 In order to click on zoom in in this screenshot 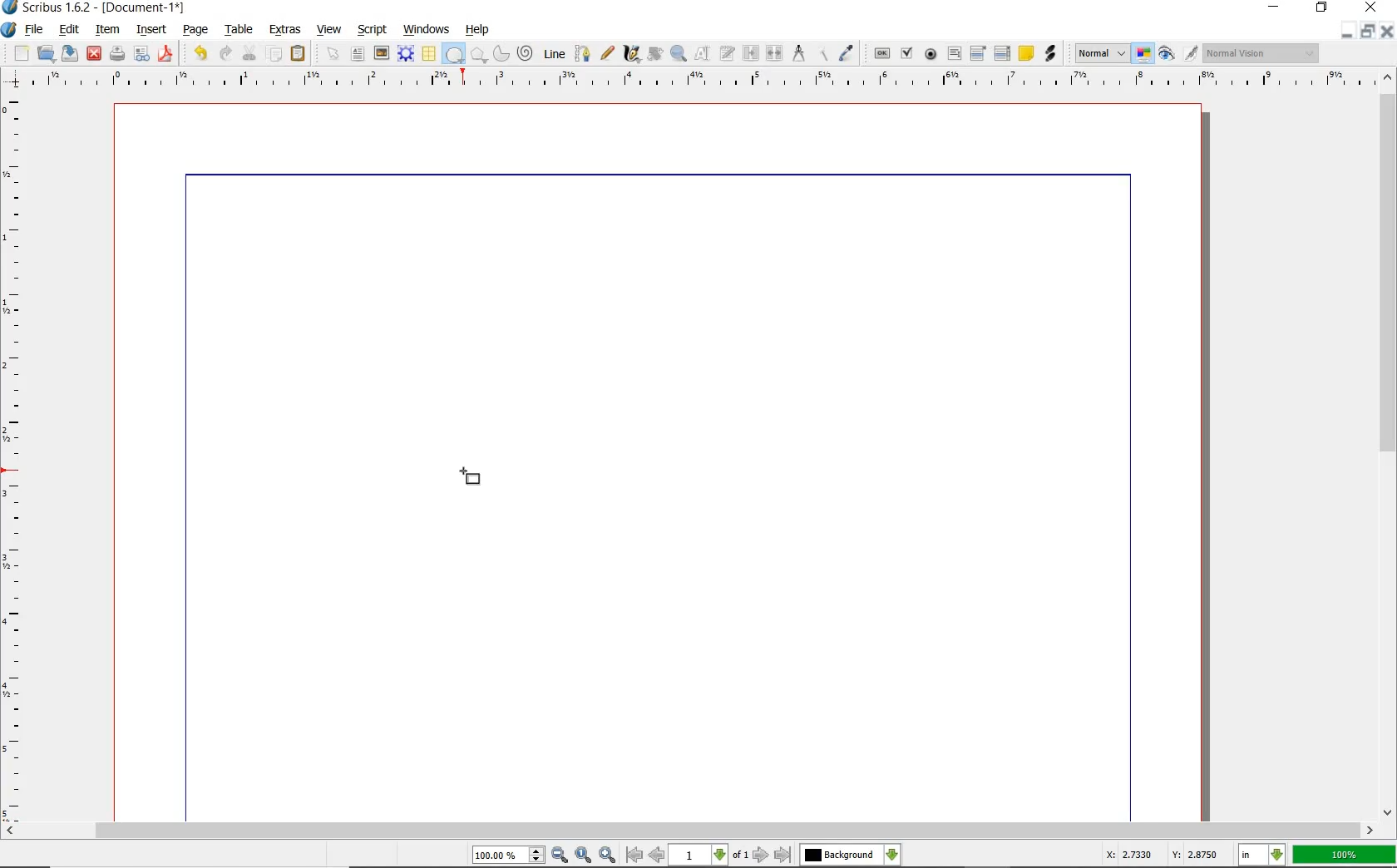, I will do `click(609, 854)`.